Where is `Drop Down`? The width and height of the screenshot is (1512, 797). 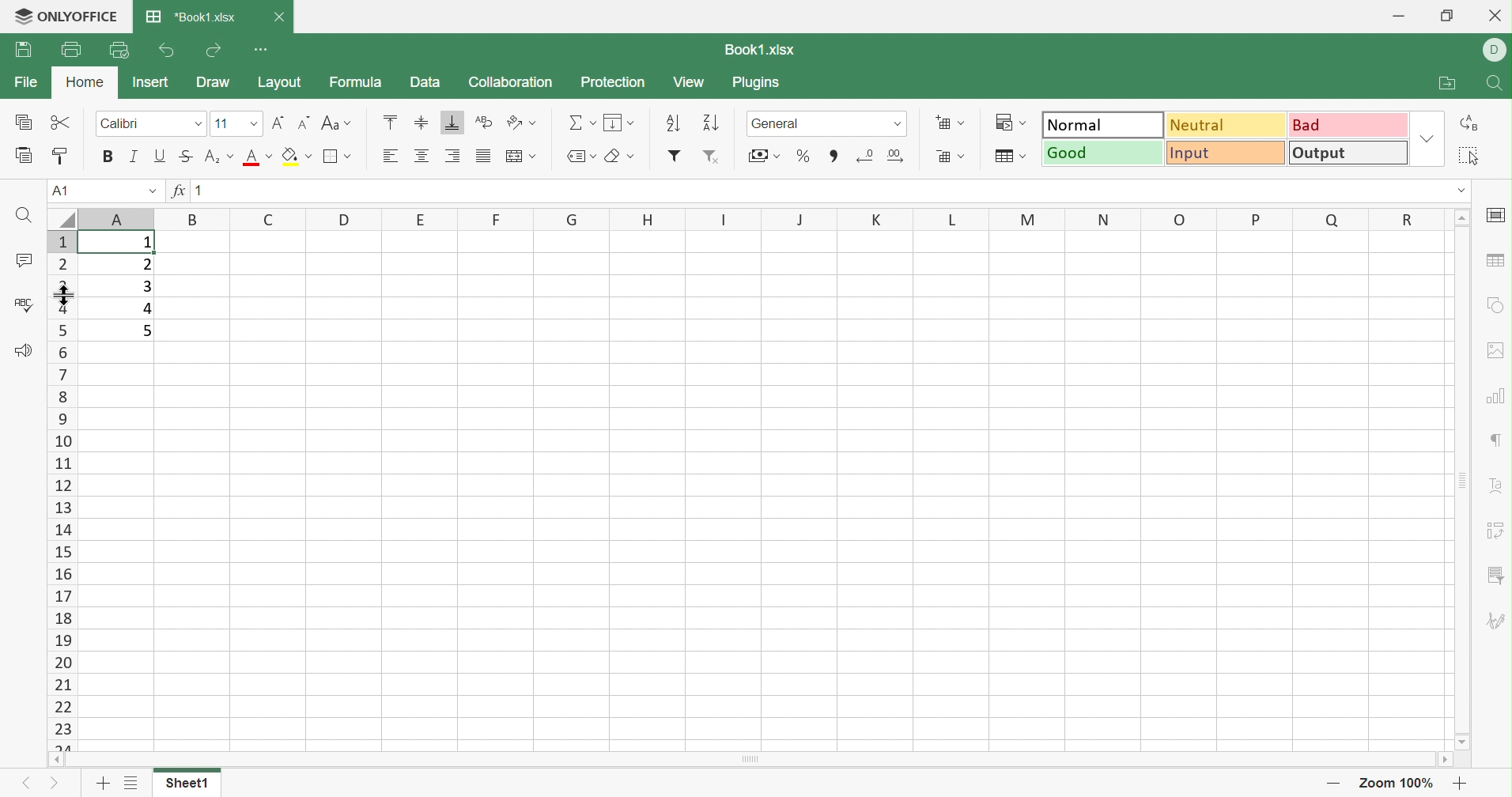
Drop Down is located at coordinates (198, 123).